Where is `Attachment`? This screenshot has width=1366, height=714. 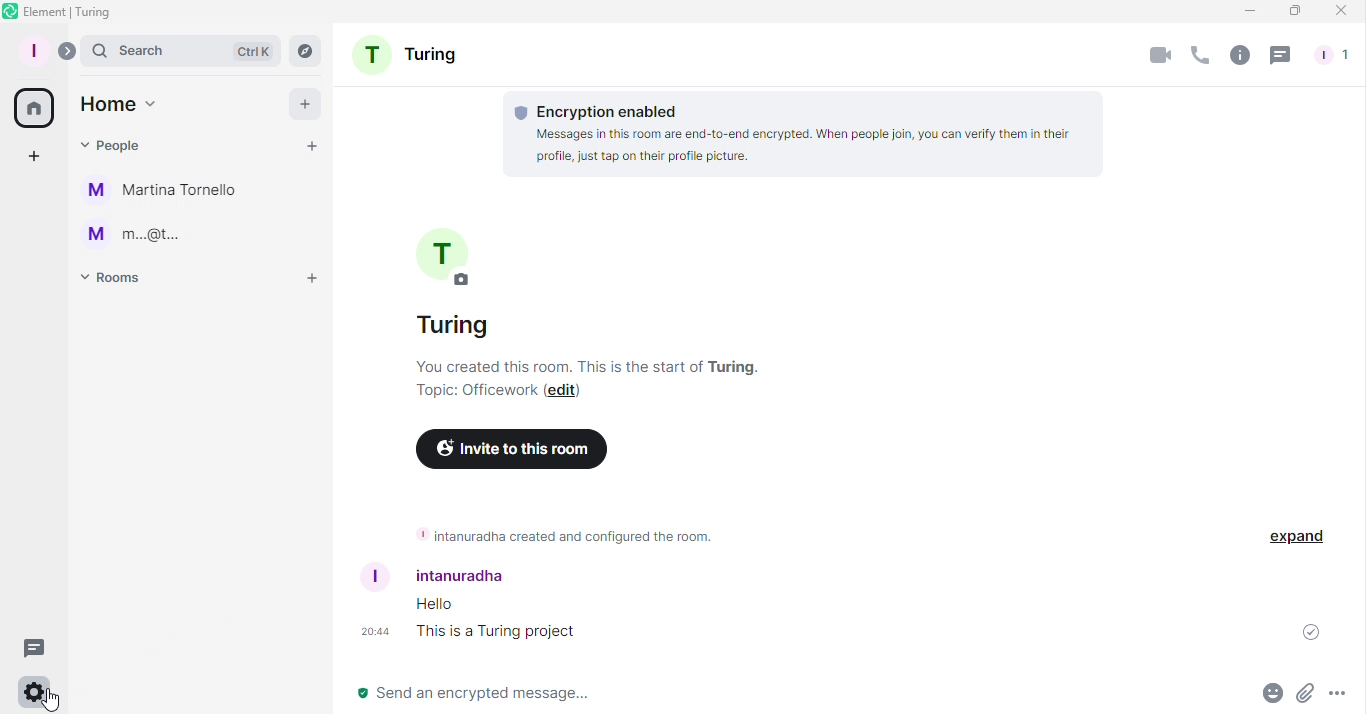 Attachment is located at coordinates (1307, 693).